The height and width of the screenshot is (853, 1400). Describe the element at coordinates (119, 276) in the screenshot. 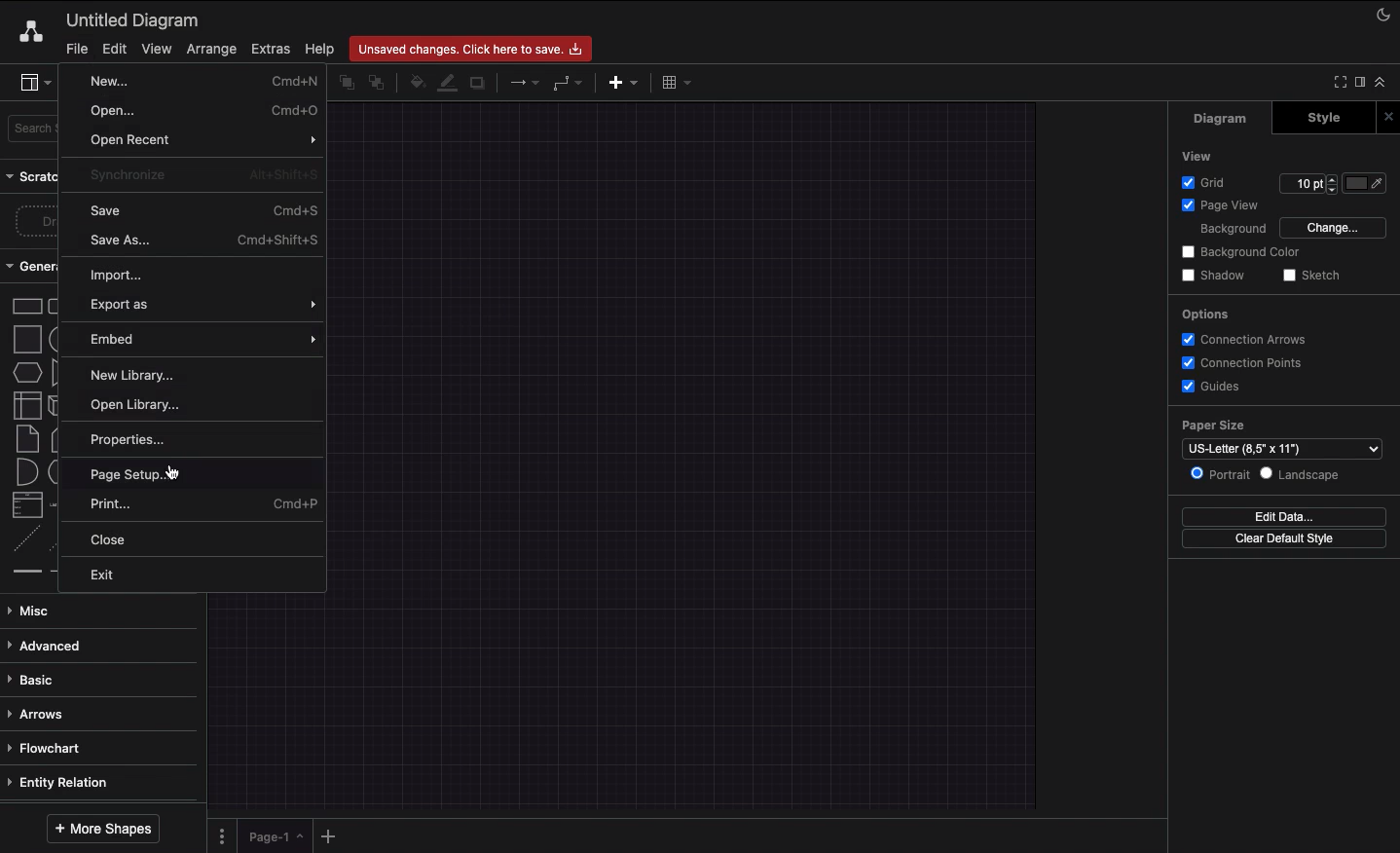

I see `Import` at that location.